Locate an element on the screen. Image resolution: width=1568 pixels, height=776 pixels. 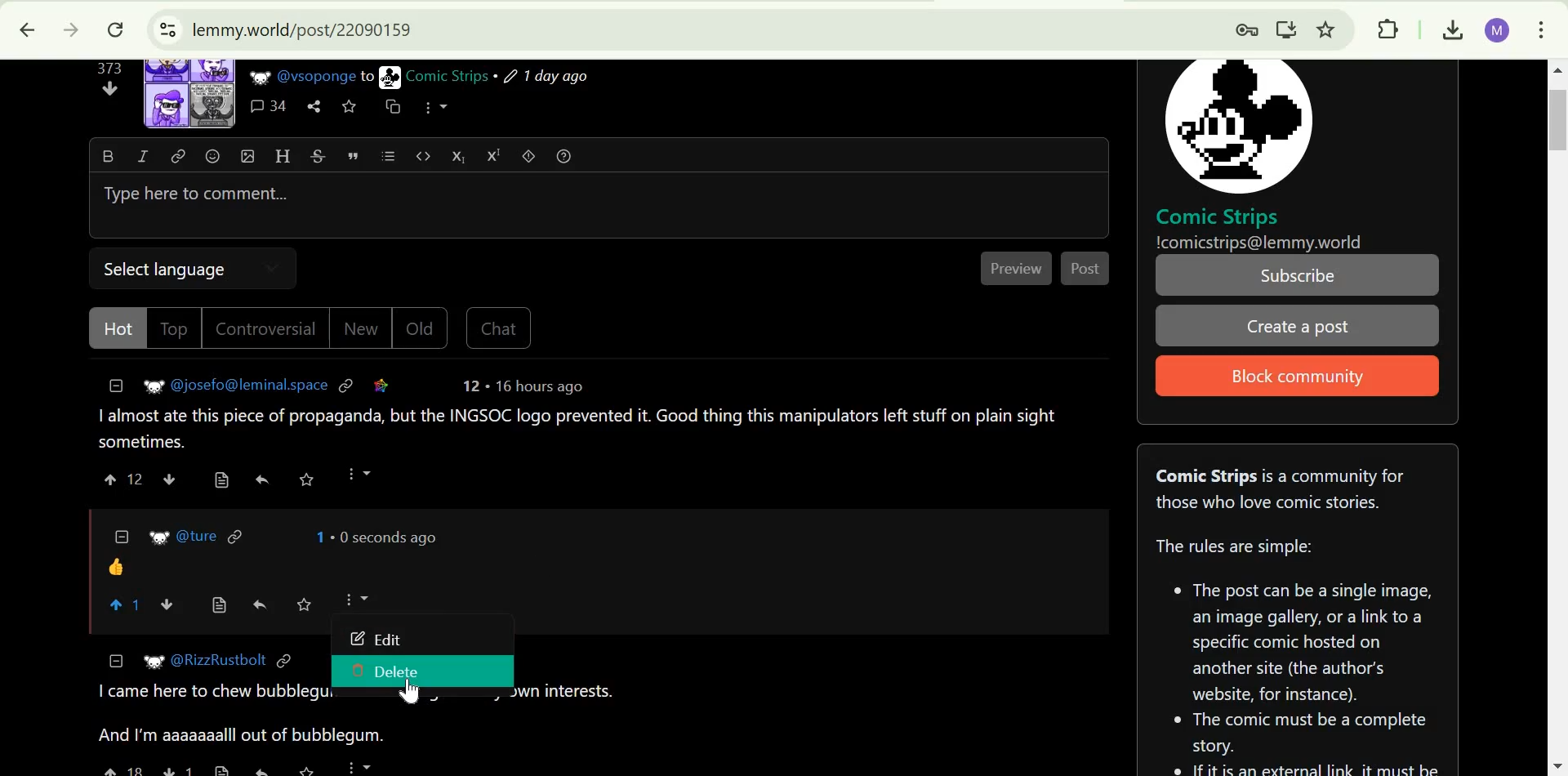
Subscribe is located at coordinates (1299, 275).